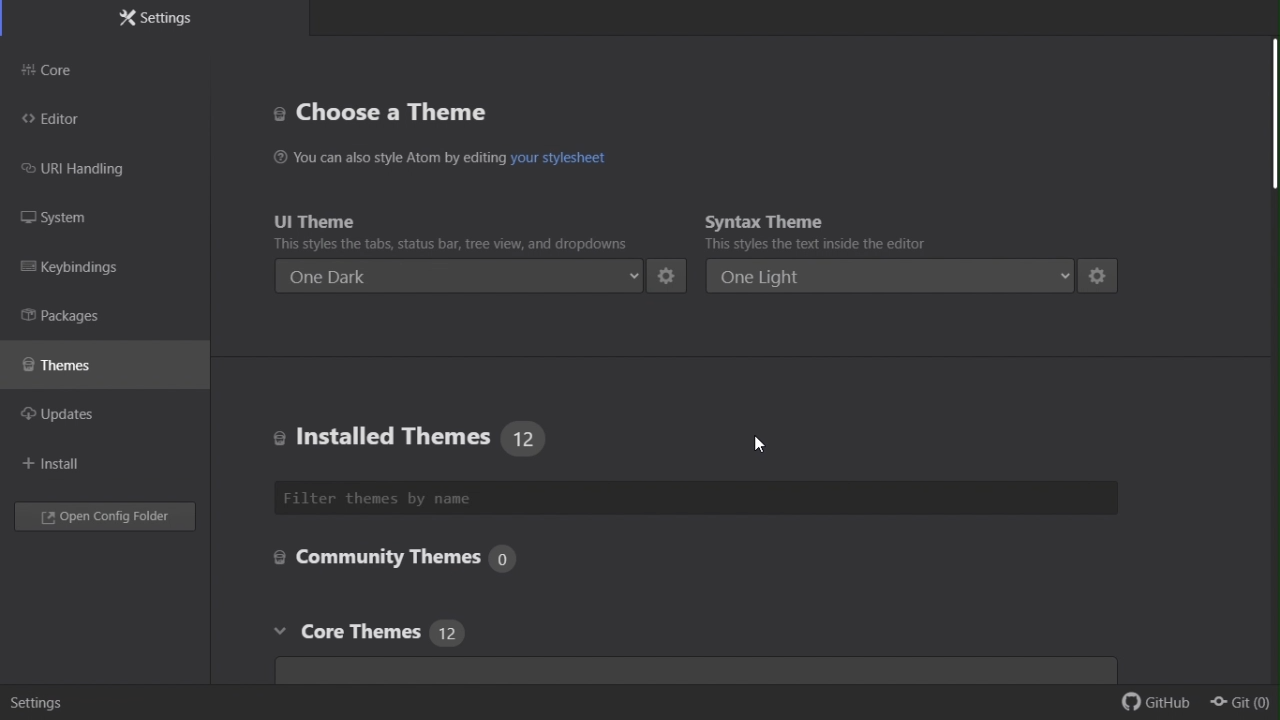 The width and height of the screenshot is (1280, 720). I want to click on Editor, so click(55, 118).